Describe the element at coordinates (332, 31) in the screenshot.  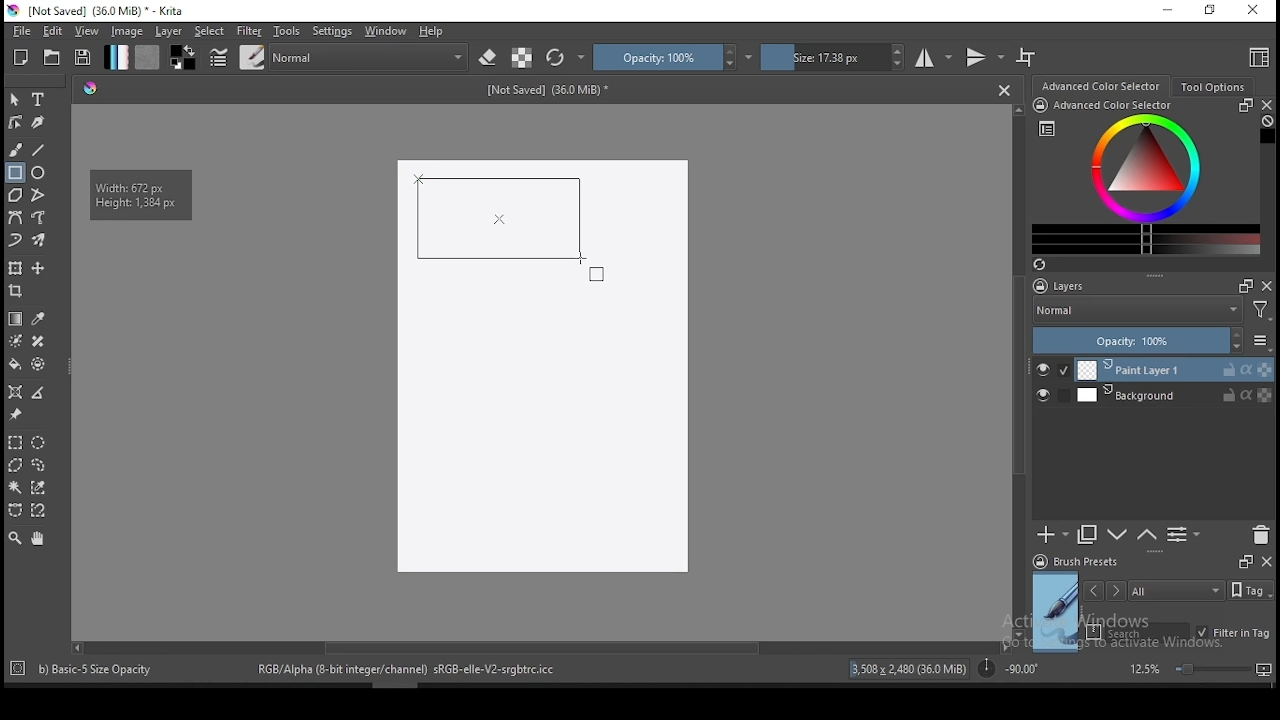
I see `settings` at that location.